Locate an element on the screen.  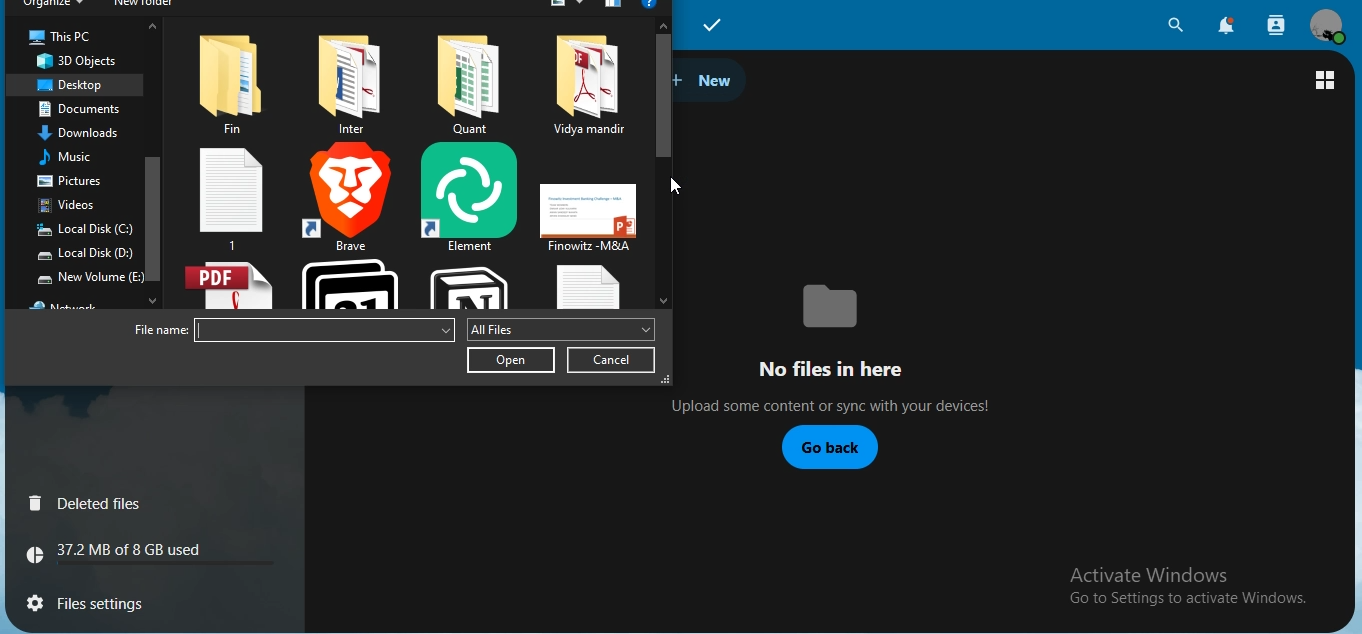
ppt is located at coordinates (587, 217).